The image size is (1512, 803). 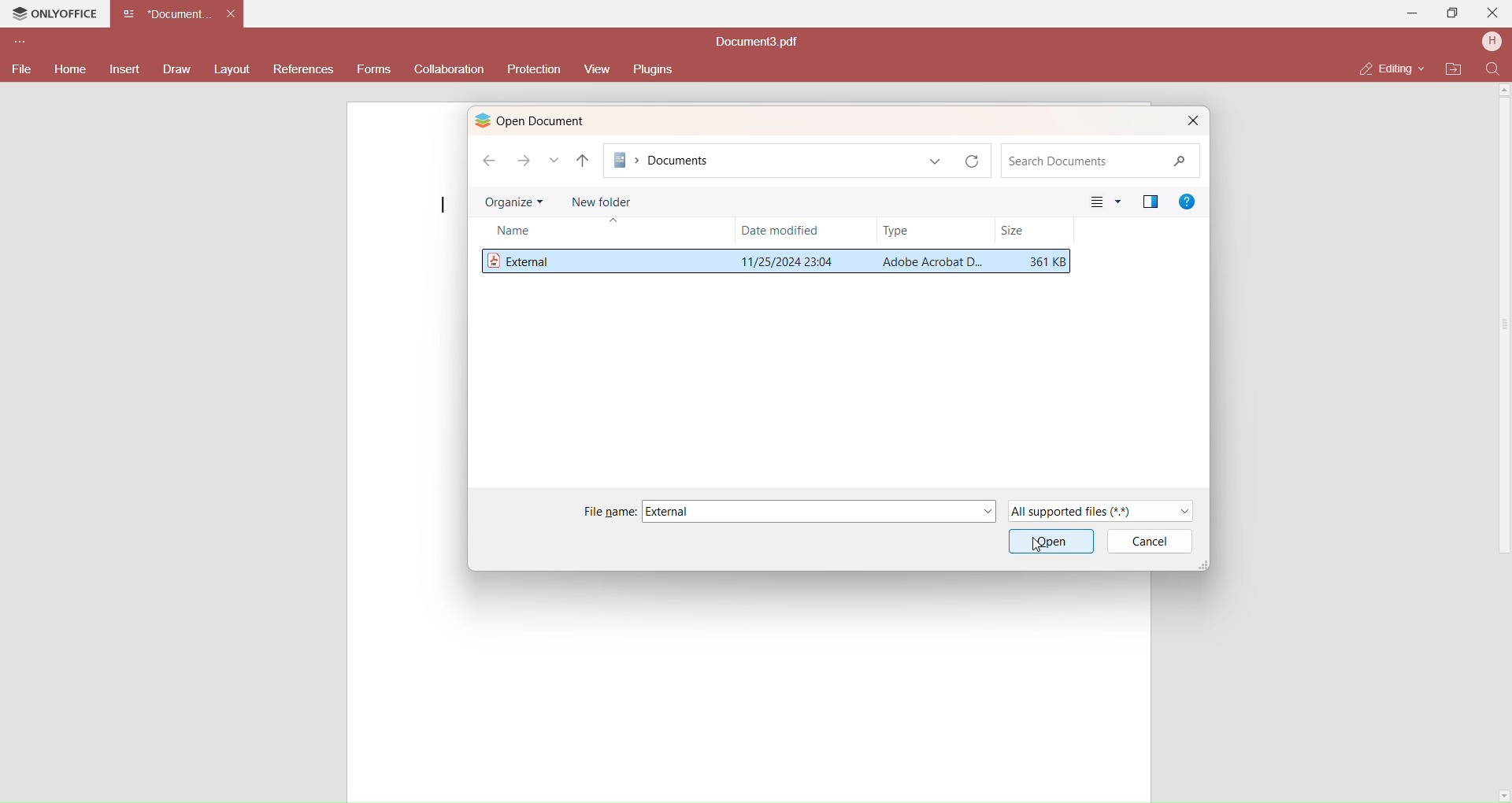 What do you see at coordinates (1492, 43) in the screenshot?
I see `User` at bounding box center [1492, 43].